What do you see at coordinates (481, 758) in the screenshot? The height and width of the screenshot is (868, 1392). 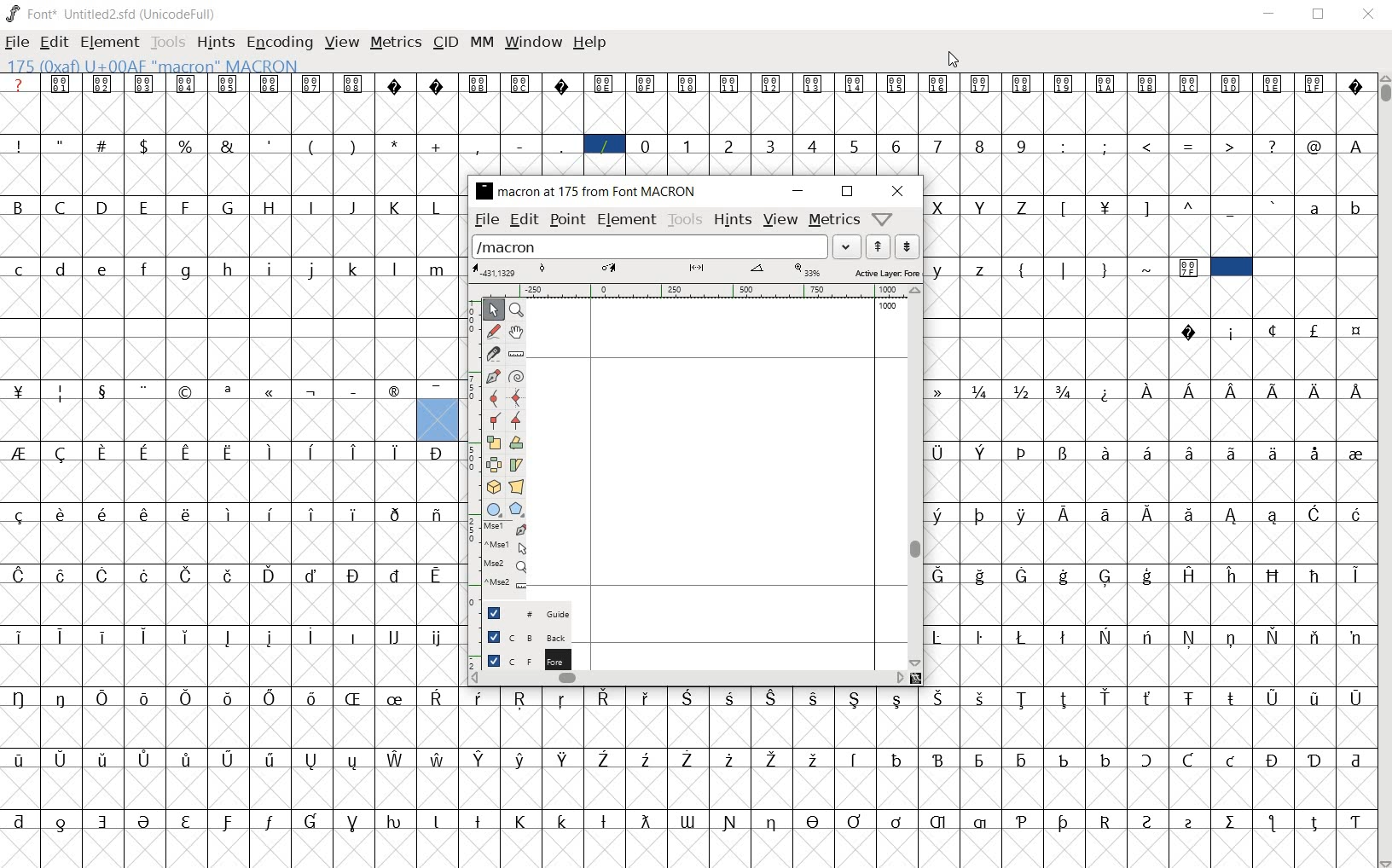 I see `Symbol` at bounding box center [481, 758].